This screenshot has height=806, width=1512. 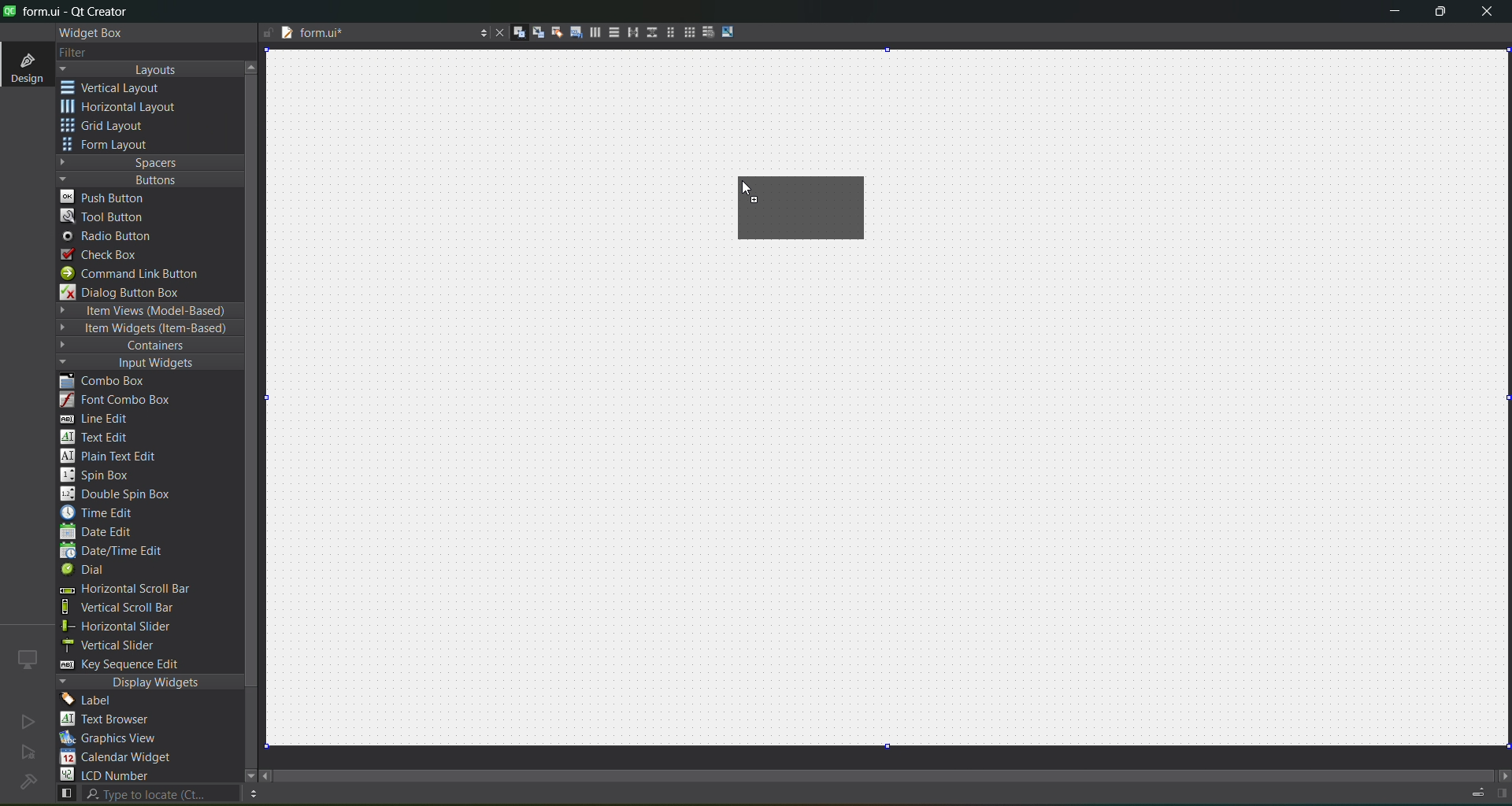 What do you see at coordinates (513, 33) in the screenshot?
I see `edit widgets` at bounding box center [513, 33].